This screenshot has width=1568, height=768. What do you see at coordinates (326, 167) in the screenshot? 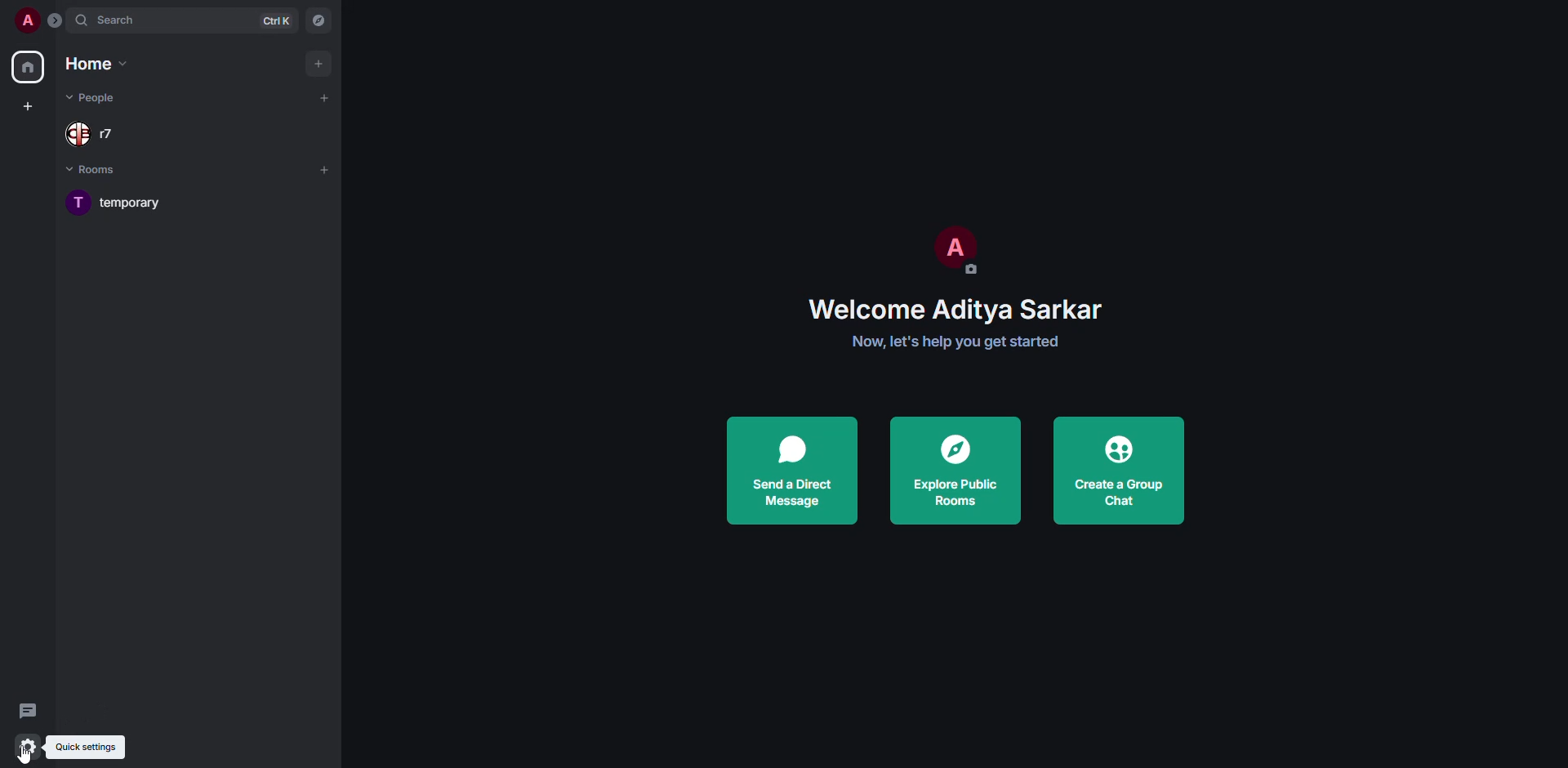
I see `add` at bounding box center [326, 167].